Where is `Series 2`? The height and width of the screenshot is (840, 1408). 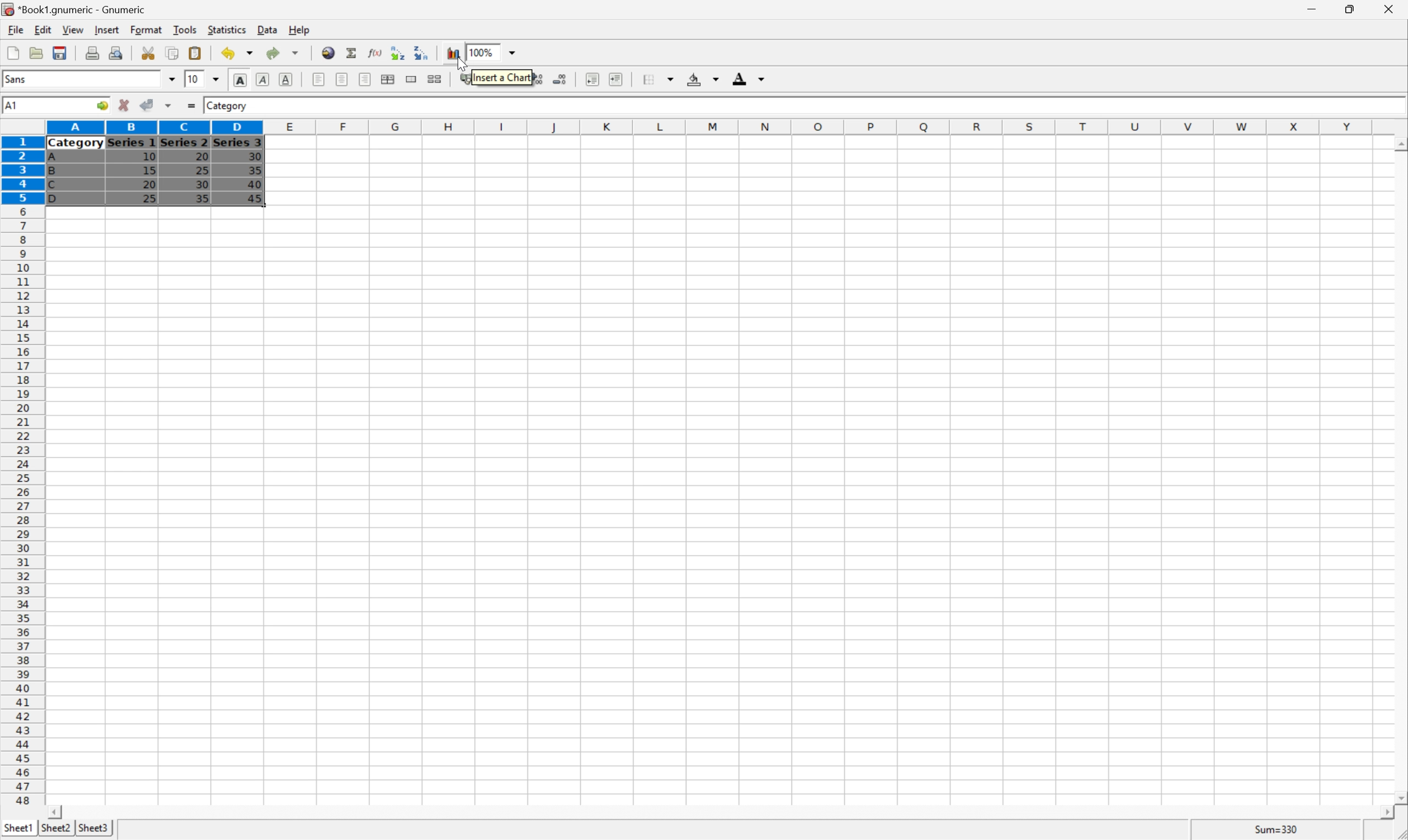
Series 2 is located at coordinates (183, 142).